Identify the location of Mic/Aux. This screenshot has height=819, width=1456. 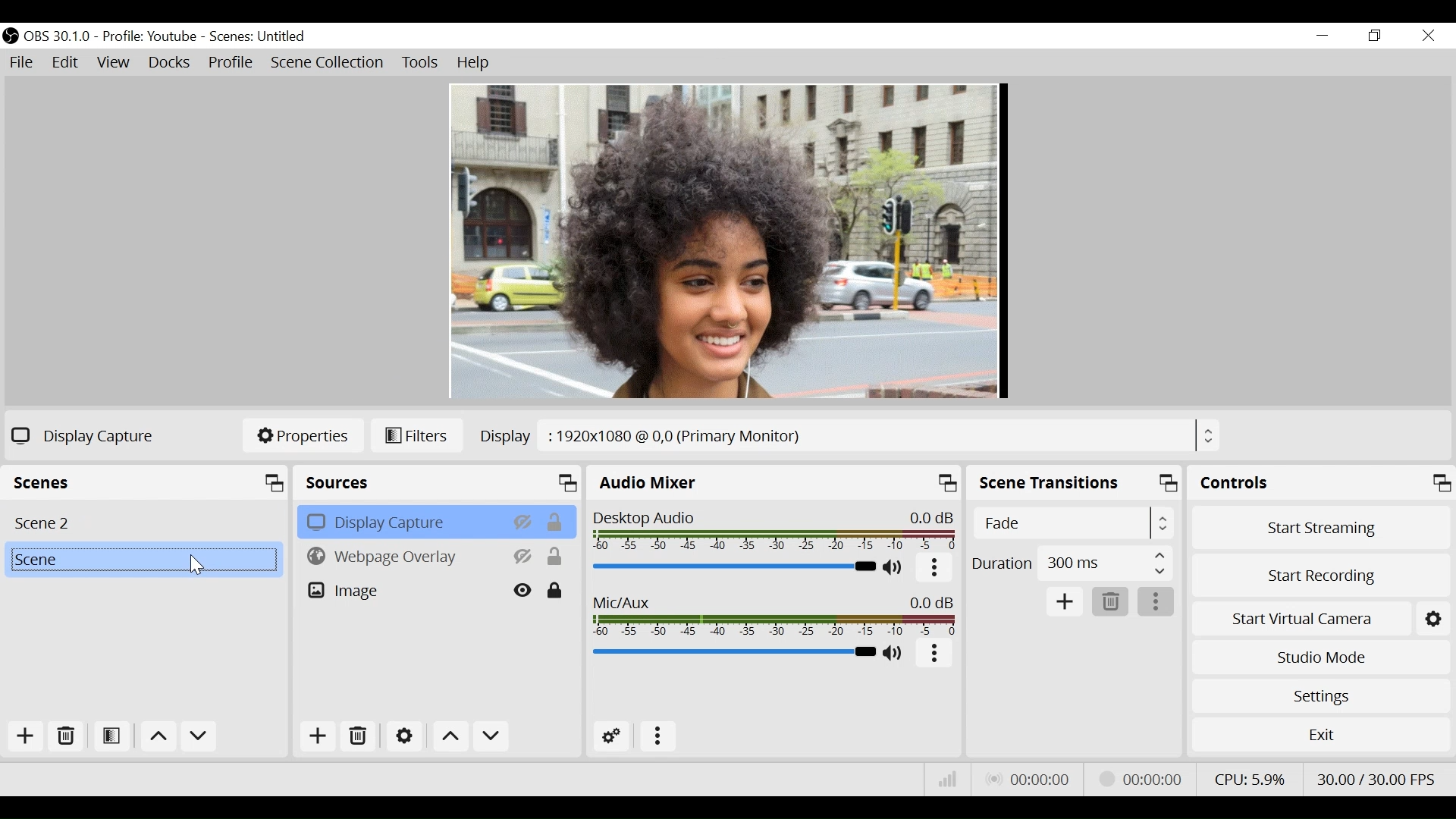
(773, 613).